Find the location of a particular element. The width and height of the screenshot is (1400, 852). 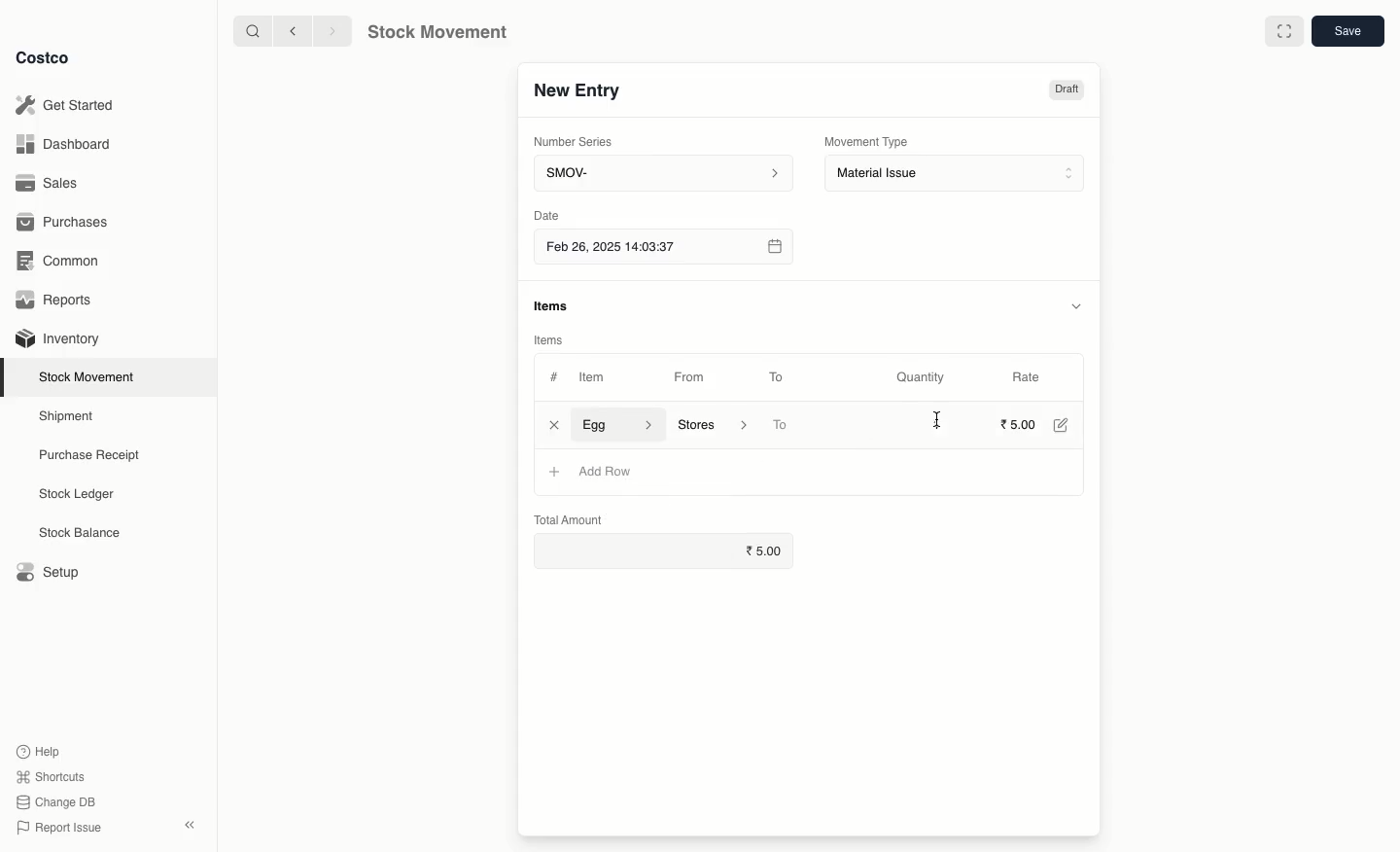

Item is located at coordinates (602, 376).